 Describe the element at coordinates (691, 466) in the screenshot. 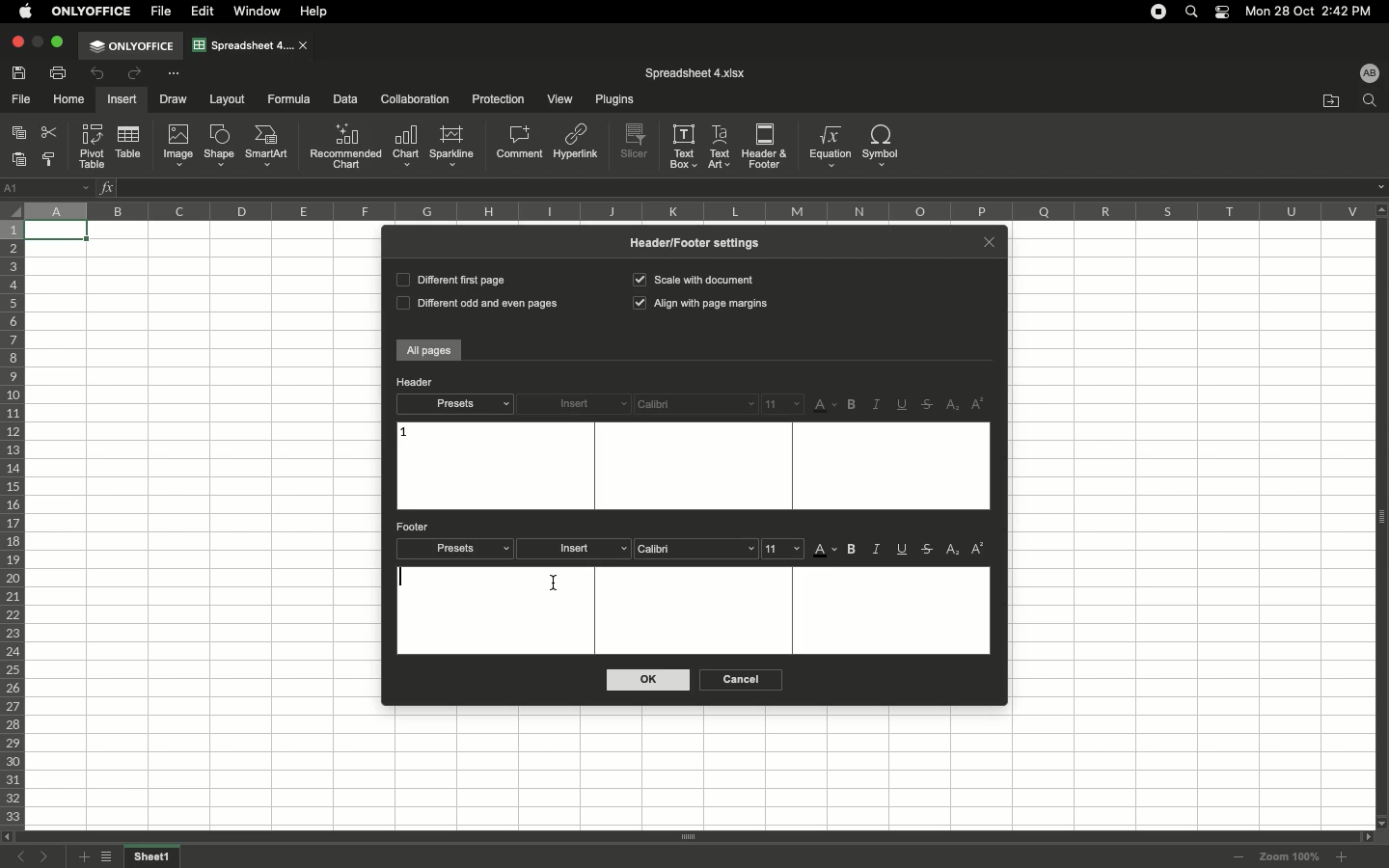

I see `Text box` at that location.